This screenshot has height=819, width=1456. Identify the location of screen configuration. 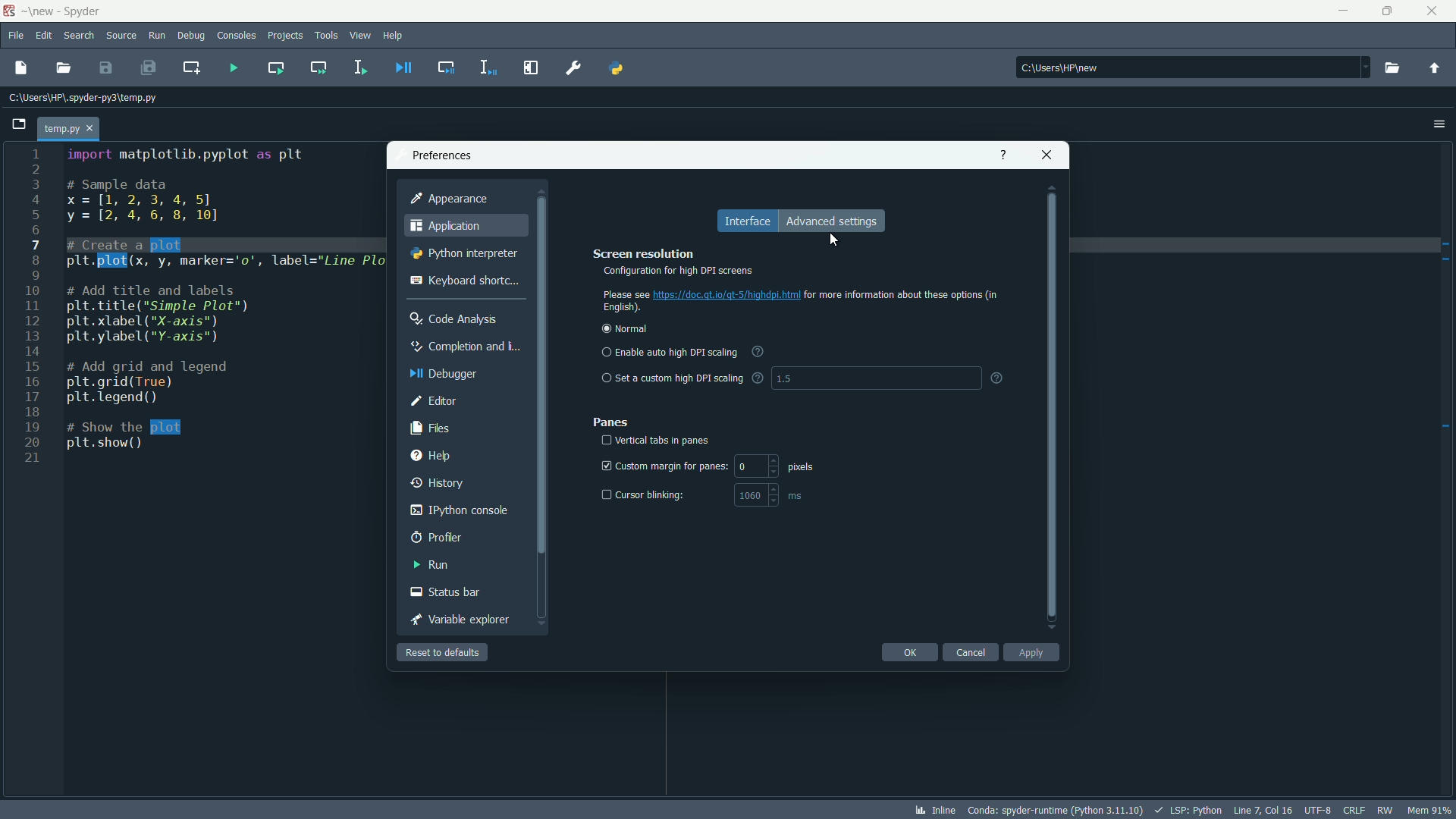
(795, 265).